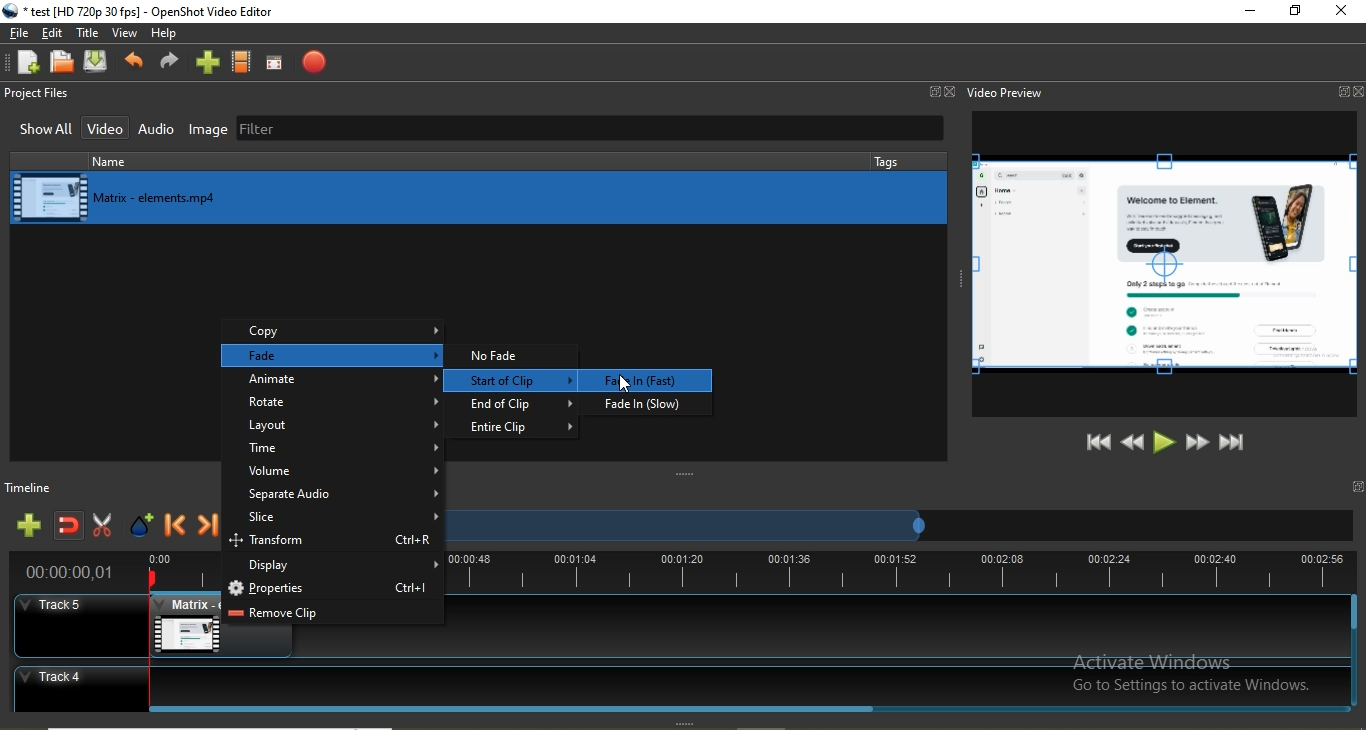 The height and width of the screenshot is (730, 1366). What do you see at coordinates (1359, 92) in the screenshot?
I see `Close` at bounding box center [1359, 92].